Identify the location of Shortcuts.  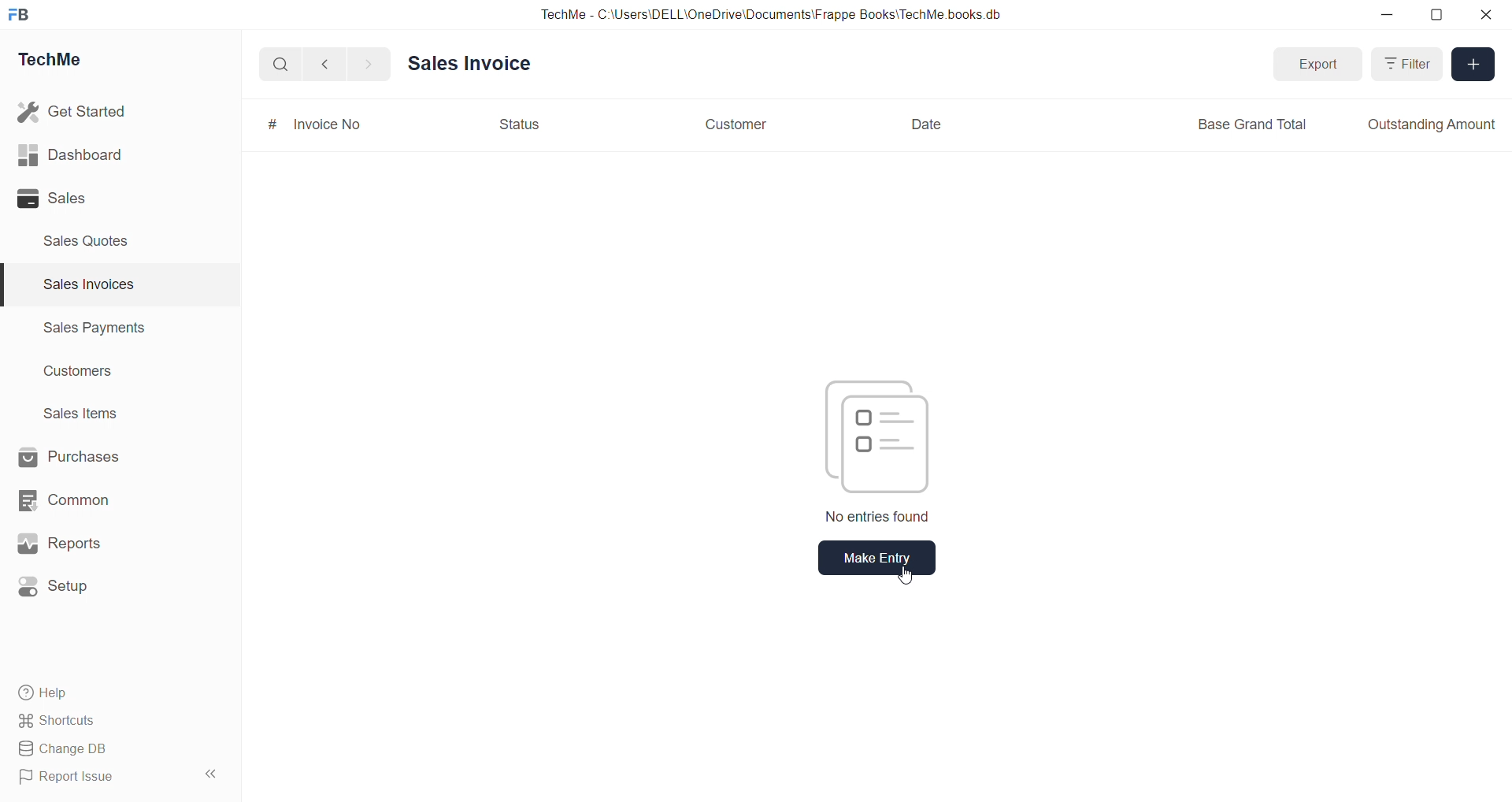
(59, 721).